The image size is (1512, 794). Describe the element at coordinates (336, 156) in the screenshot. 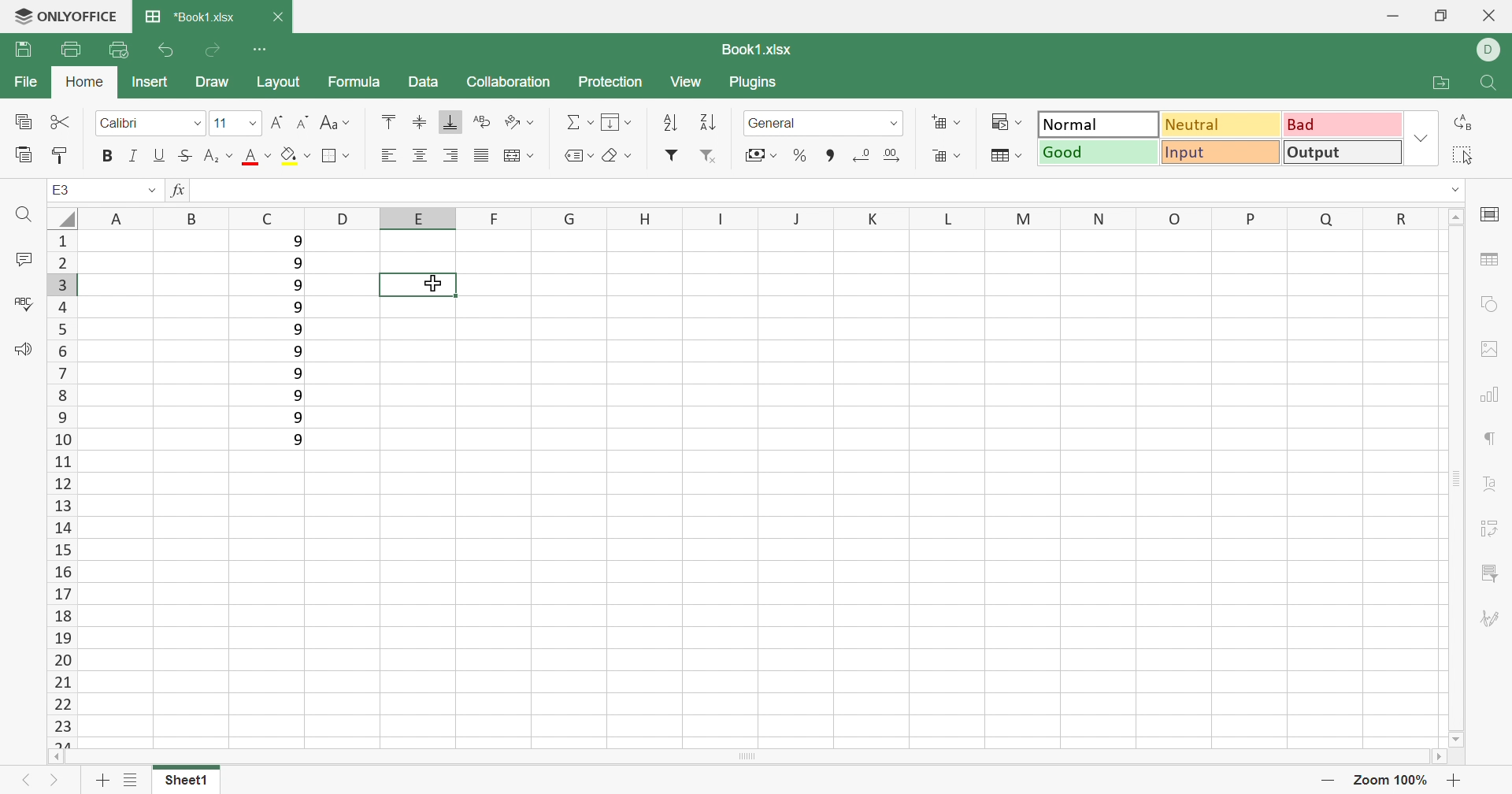

I see `Borders` at that location.